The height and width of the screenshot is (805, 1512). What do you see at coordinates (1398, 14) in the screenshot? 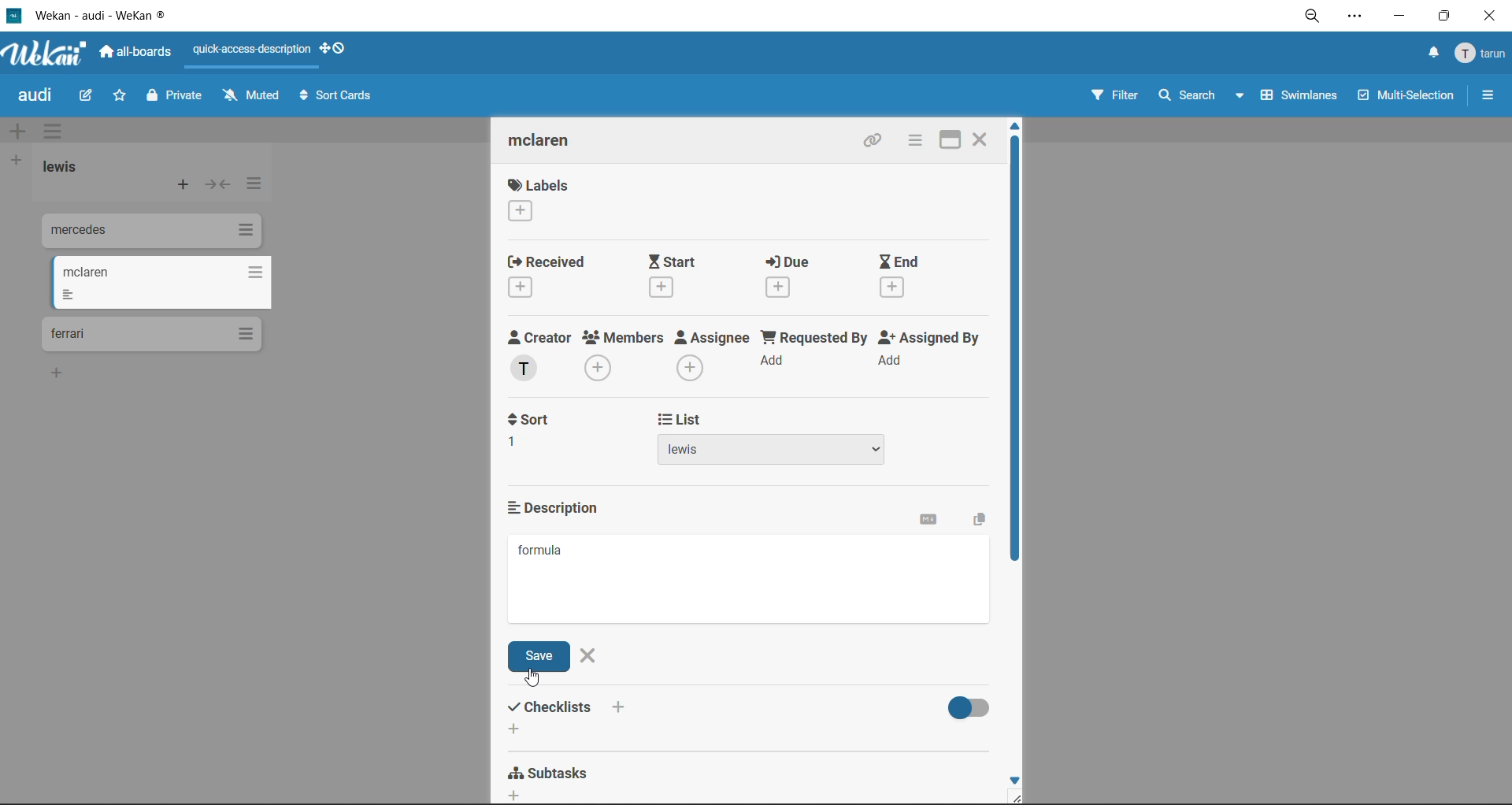
I see `minimize` at bounding box center [1398, 14].